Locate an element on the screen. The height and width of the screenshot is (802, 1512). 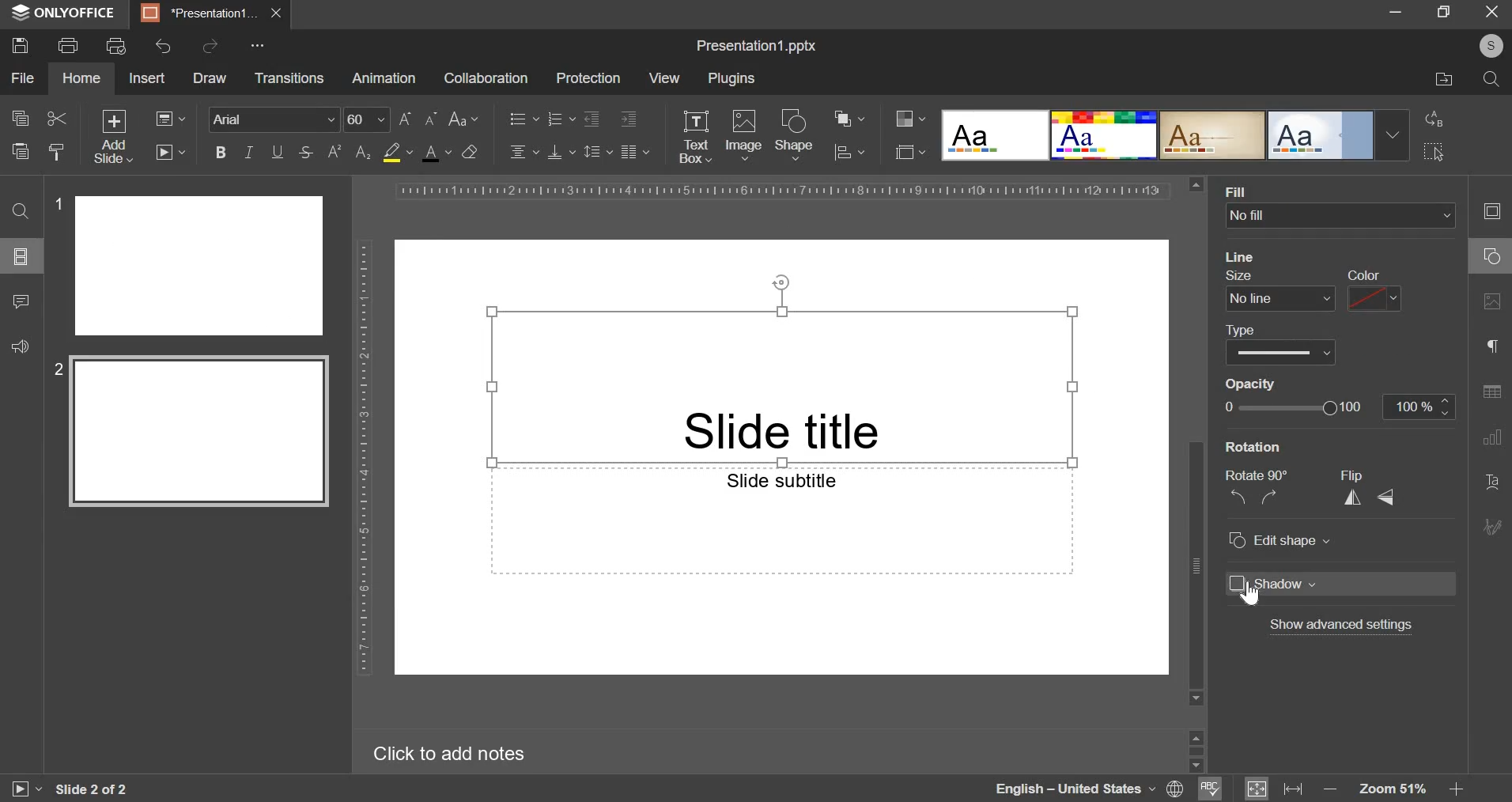
color design is located at coordinates (910, 119).